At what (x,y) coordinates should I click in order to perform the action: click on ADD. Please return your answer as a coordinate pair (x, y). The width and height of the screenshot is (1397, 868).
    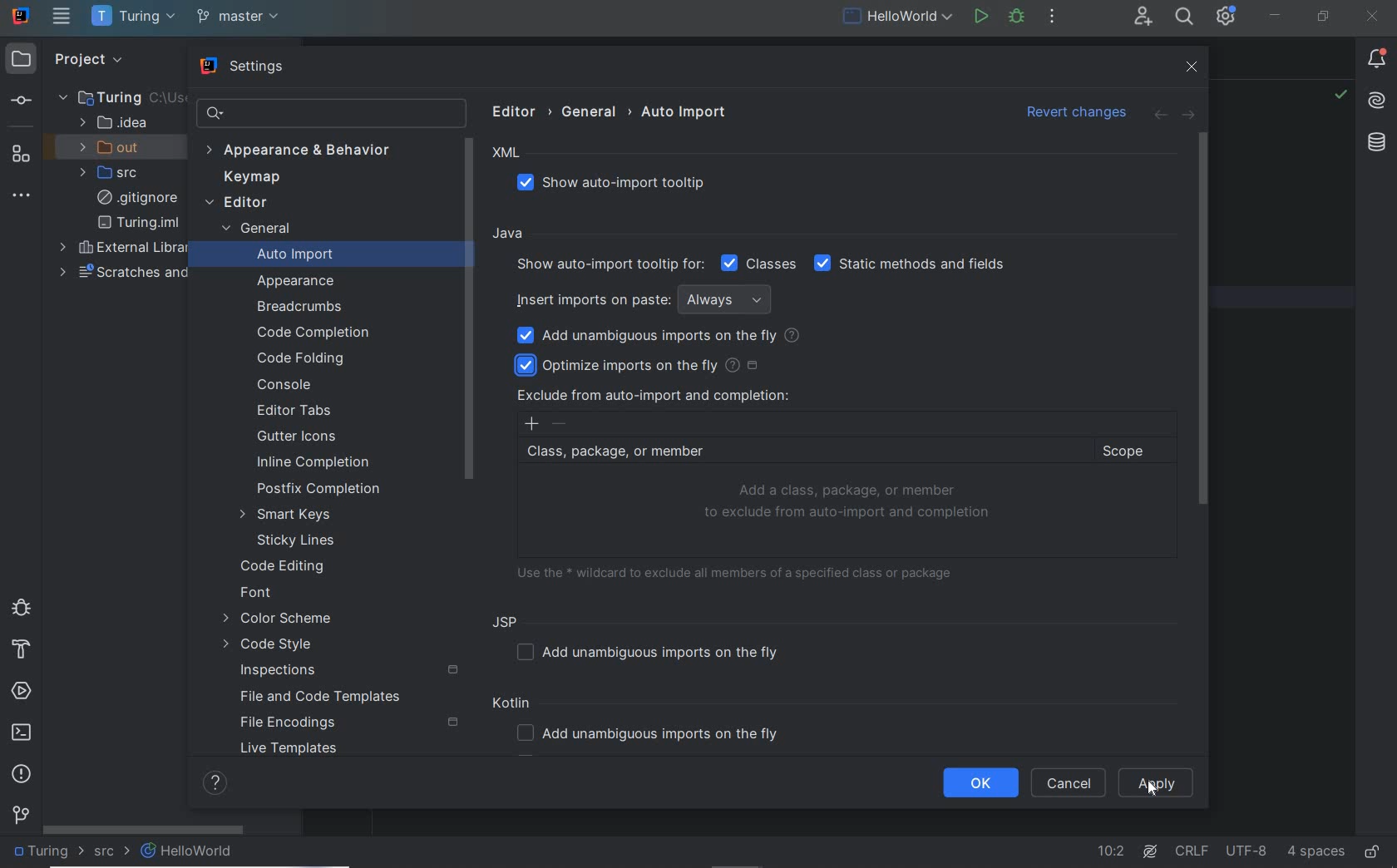
    Looking at the image, I should click on (531, 424).